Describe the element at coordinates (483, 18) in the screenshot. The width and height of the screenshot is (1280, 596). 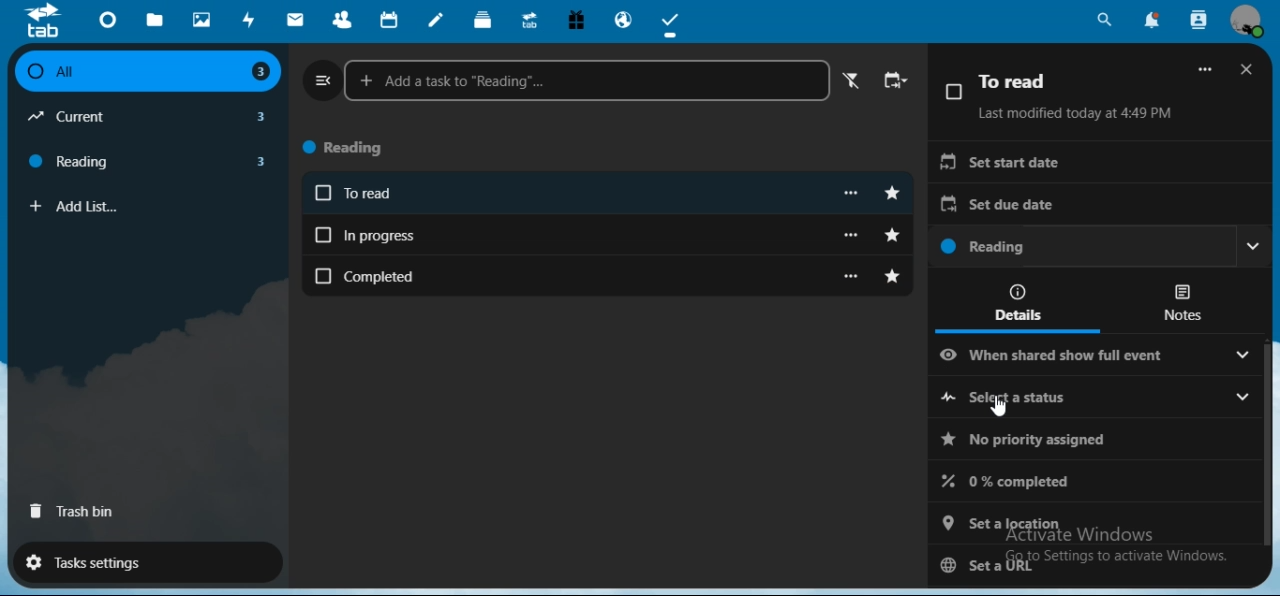
I see `deck` at that location.